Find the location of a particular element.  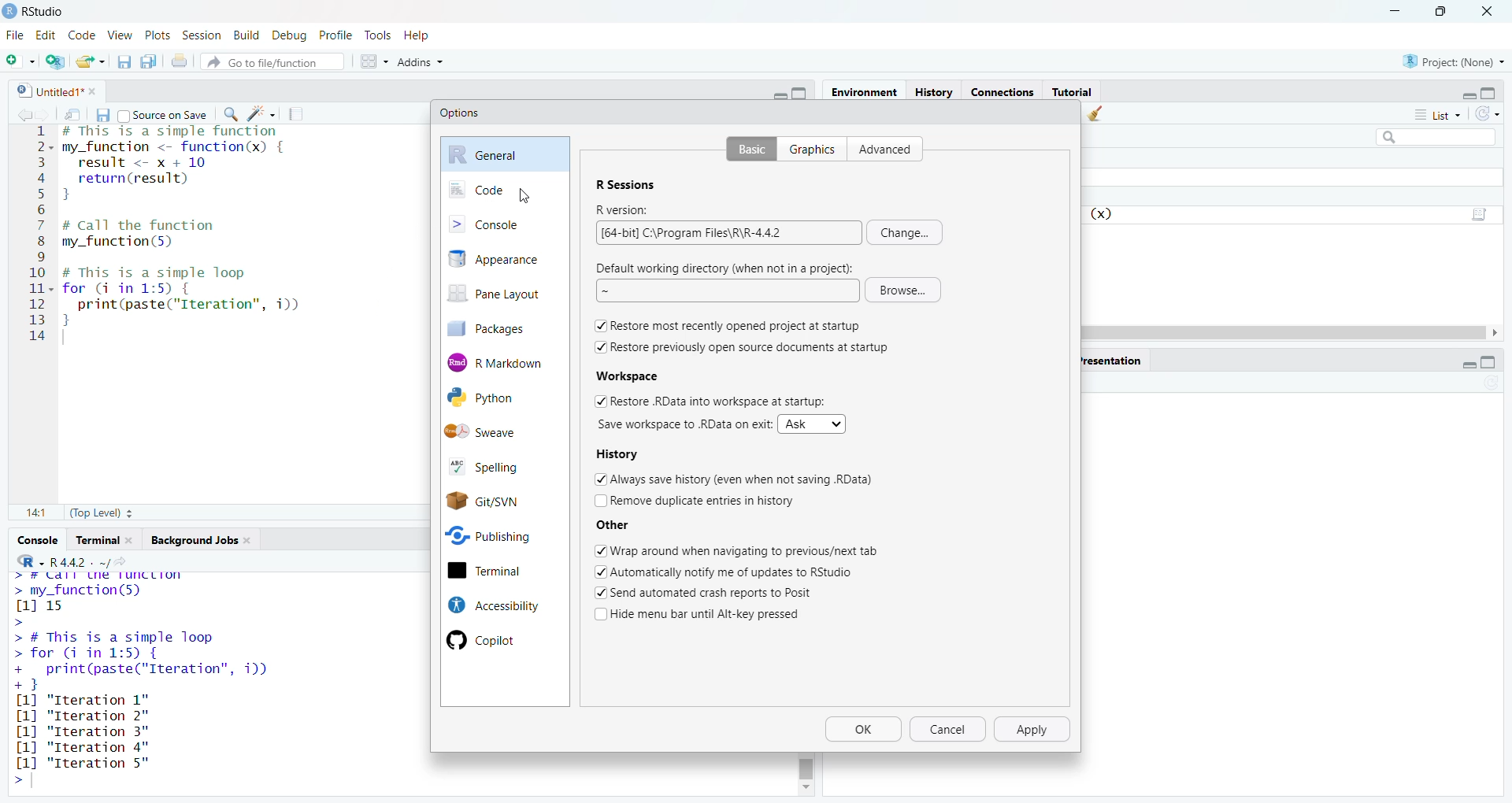

move down is located at coordinates (805, 789).